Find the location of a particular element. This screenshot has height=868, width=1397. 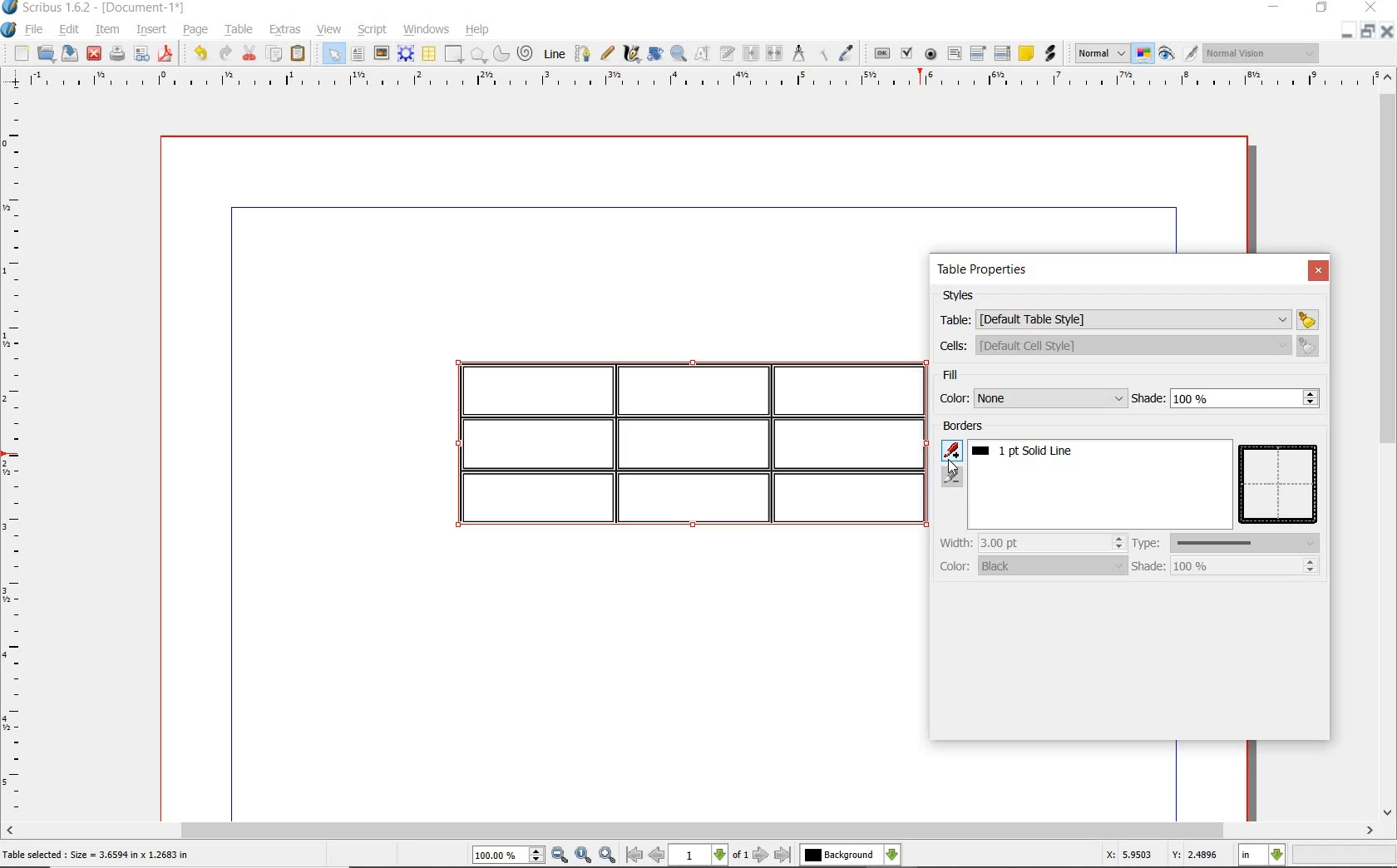

ruler is located at coordinates (693, 81).